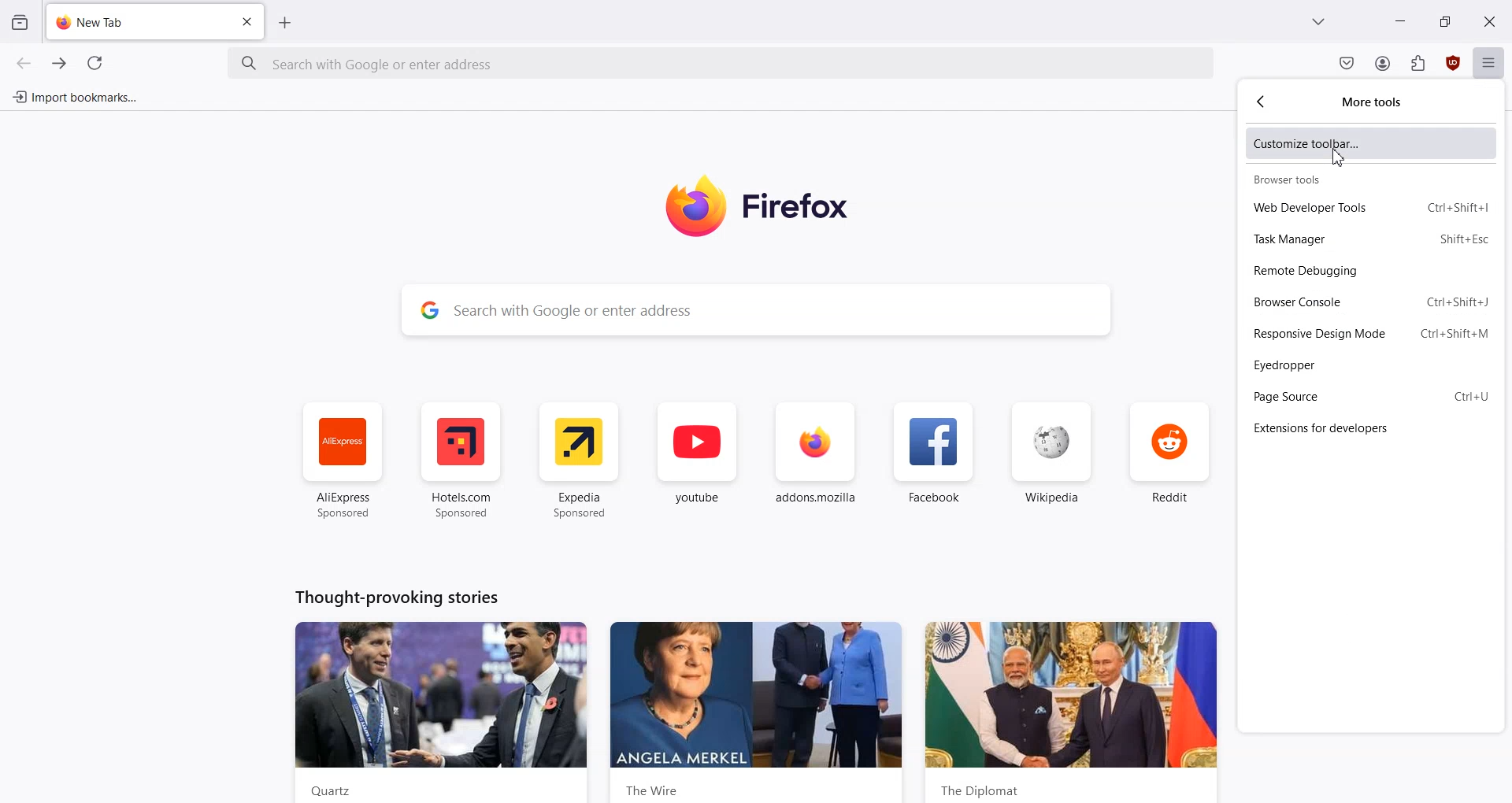 The image size is (1512, 803). I want to click on Web developer tools, so click(1333, 207).